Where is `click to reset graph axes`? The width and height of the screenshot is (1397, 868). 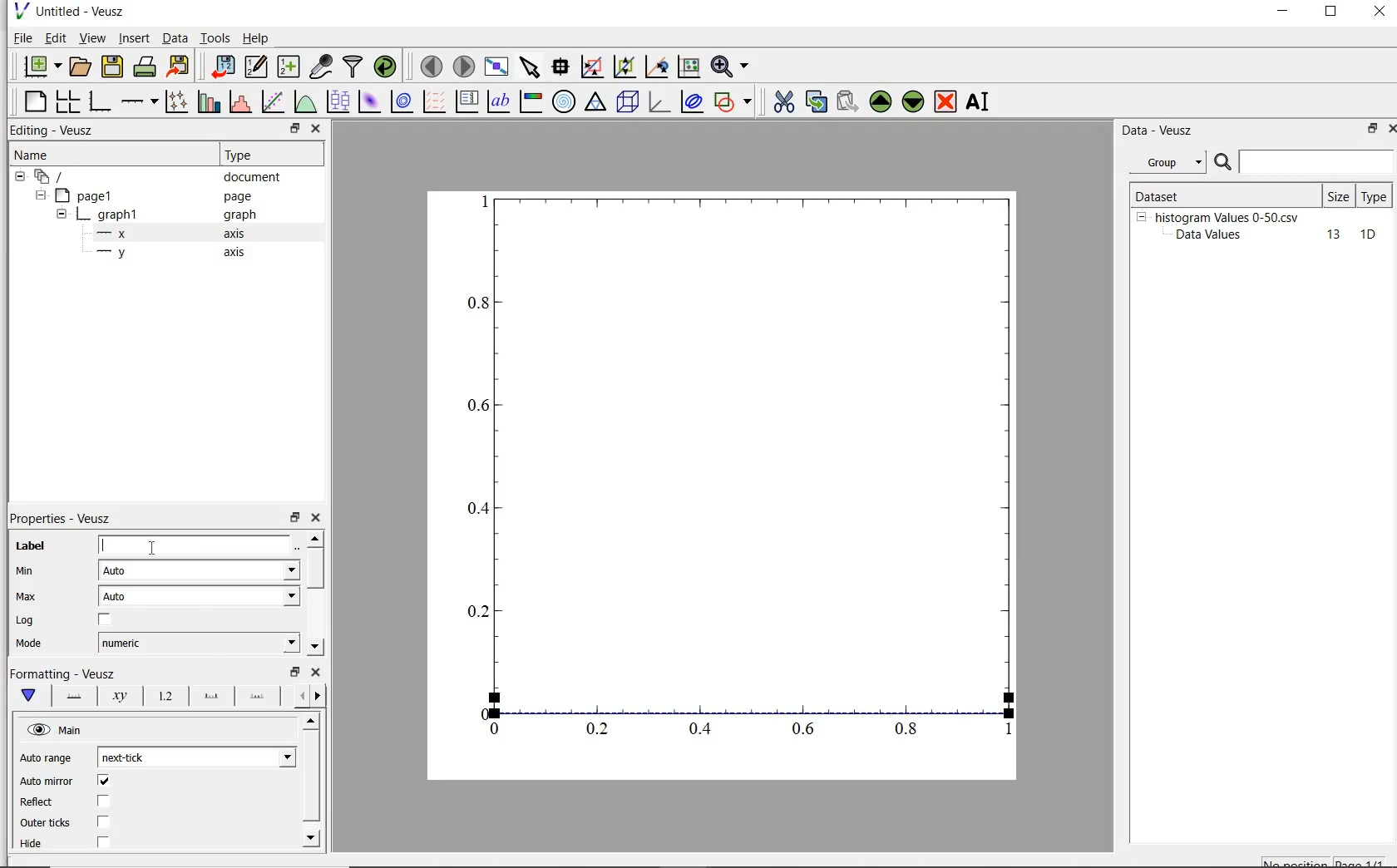 click to reset graph axes is located at coordinates (591, 67).